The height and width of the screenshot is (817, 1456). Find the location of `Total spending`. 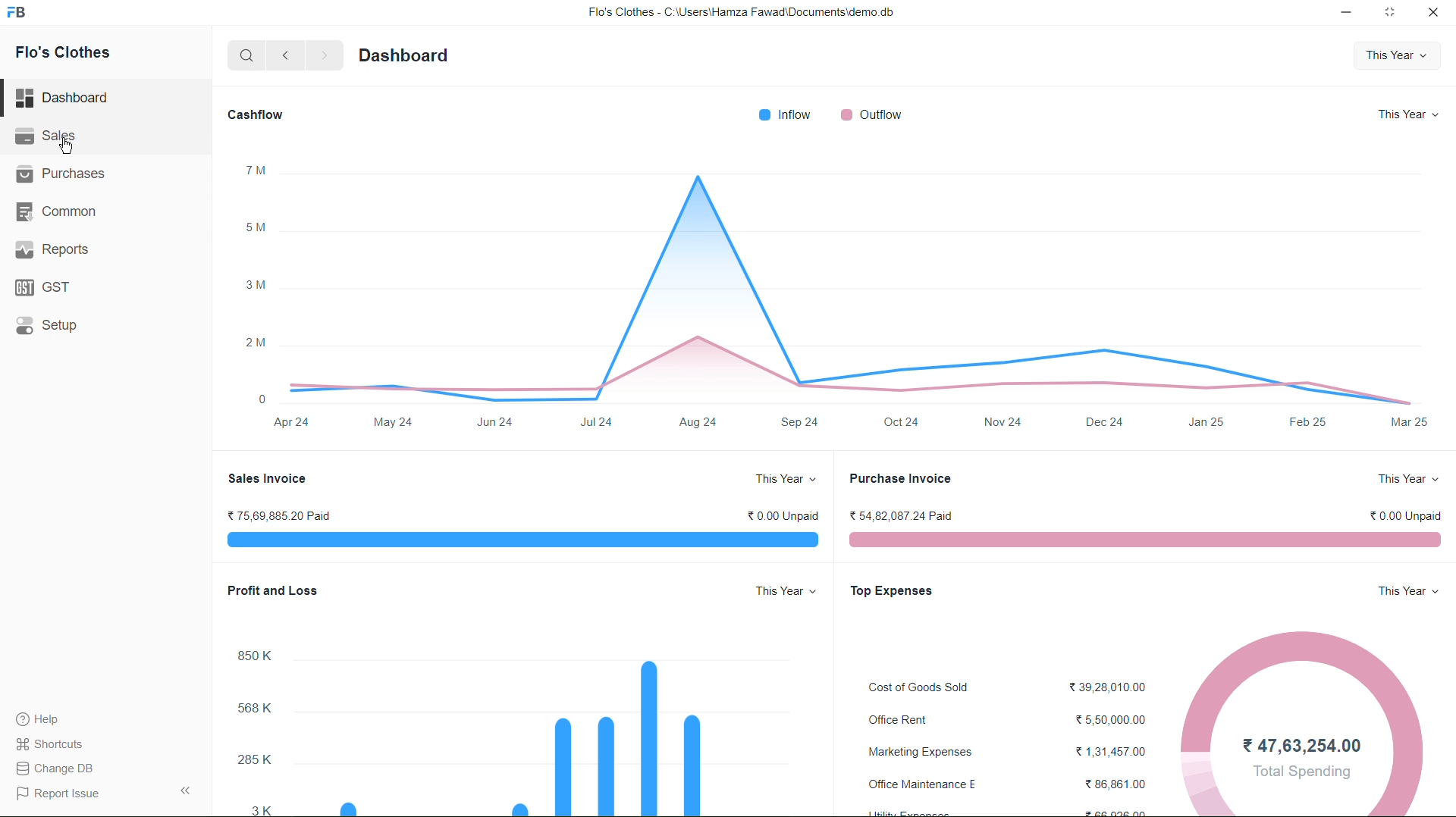

Total spending is located at coordinates (1303, 772).